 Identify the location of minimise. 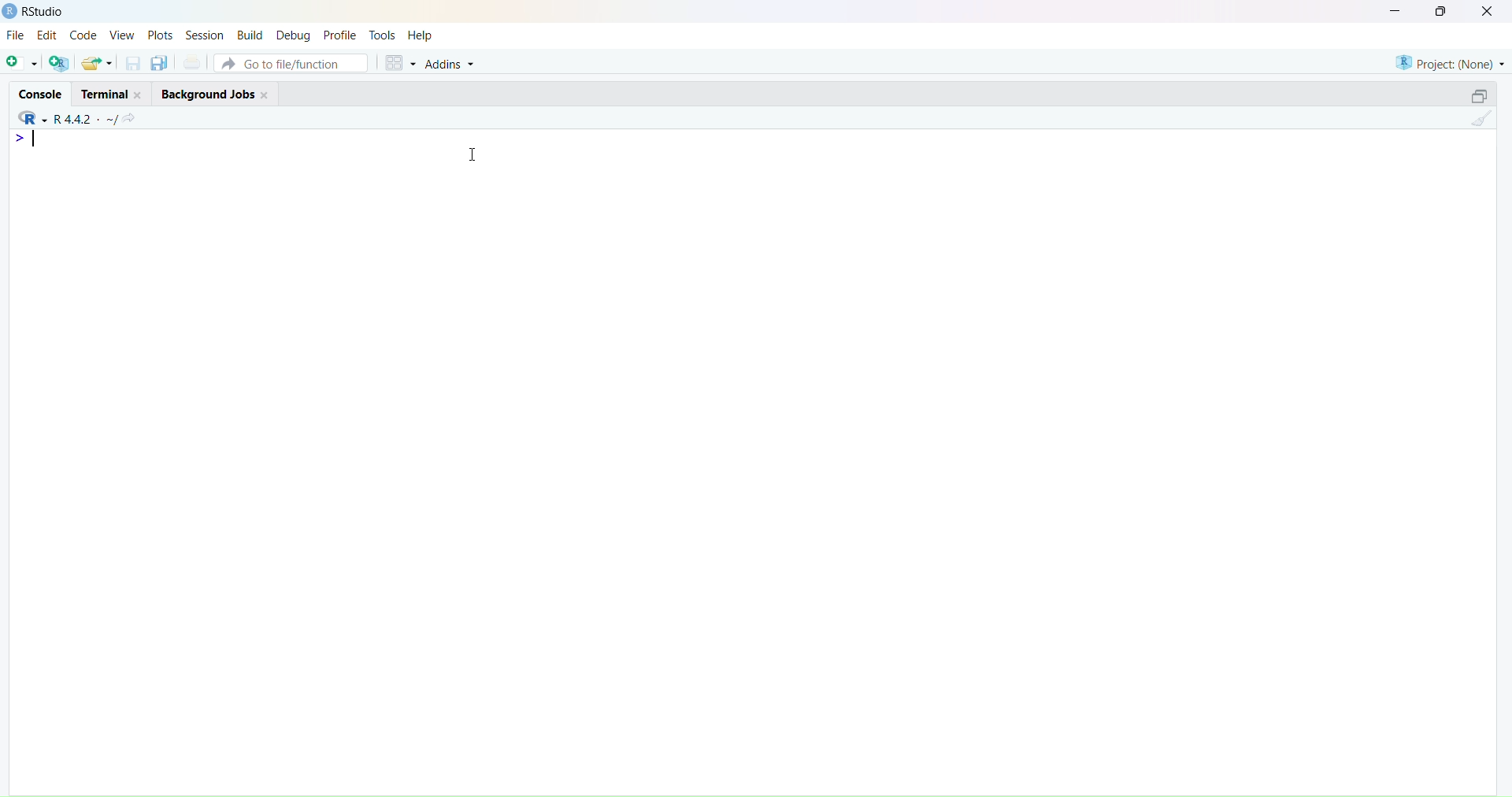
(1396, 10).